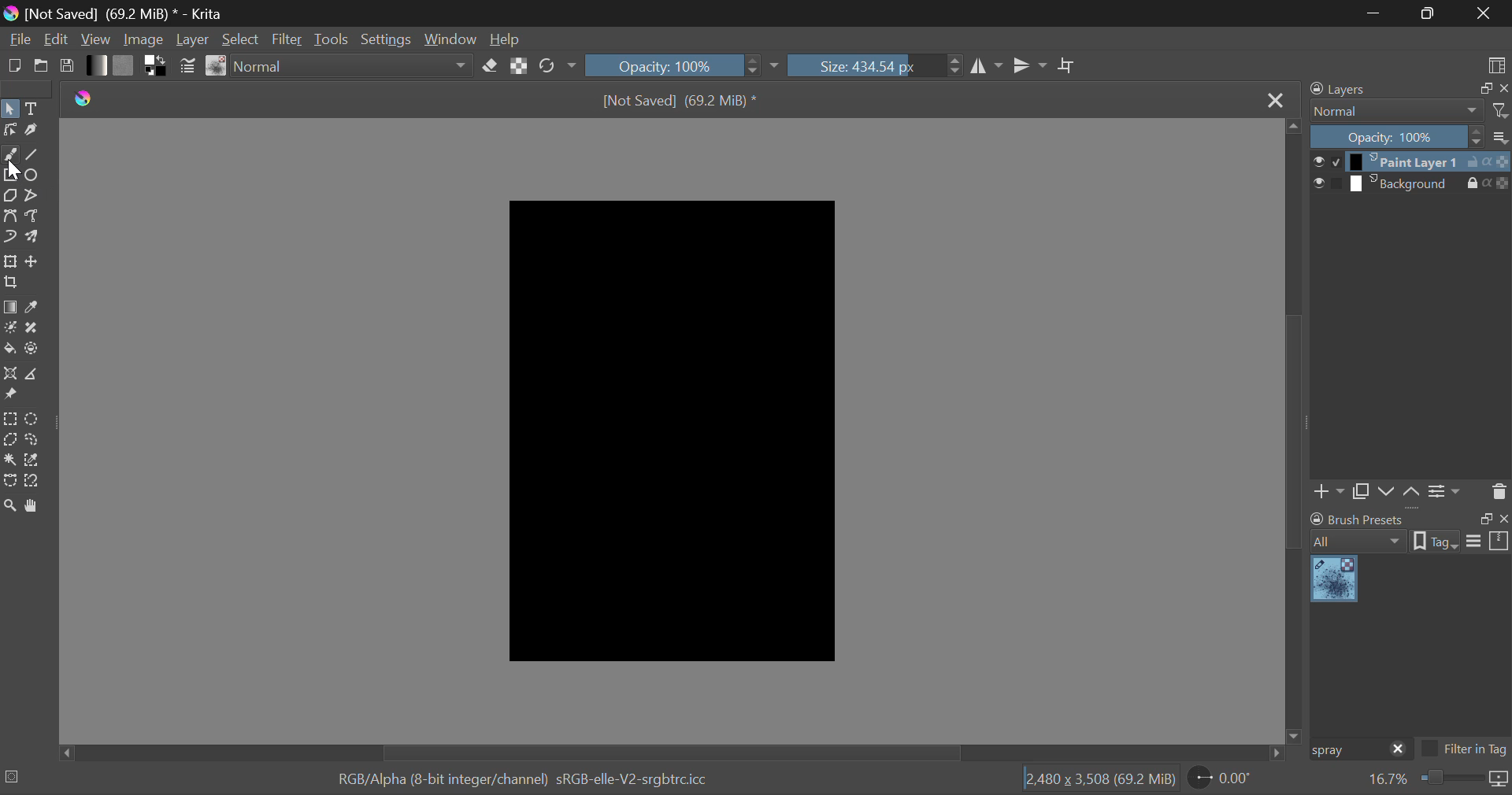 The image size is (1512, 795). What do you see at coordinates (287, 39) in the screenshot?
I see `Filter` at bounding box center [287, 39].